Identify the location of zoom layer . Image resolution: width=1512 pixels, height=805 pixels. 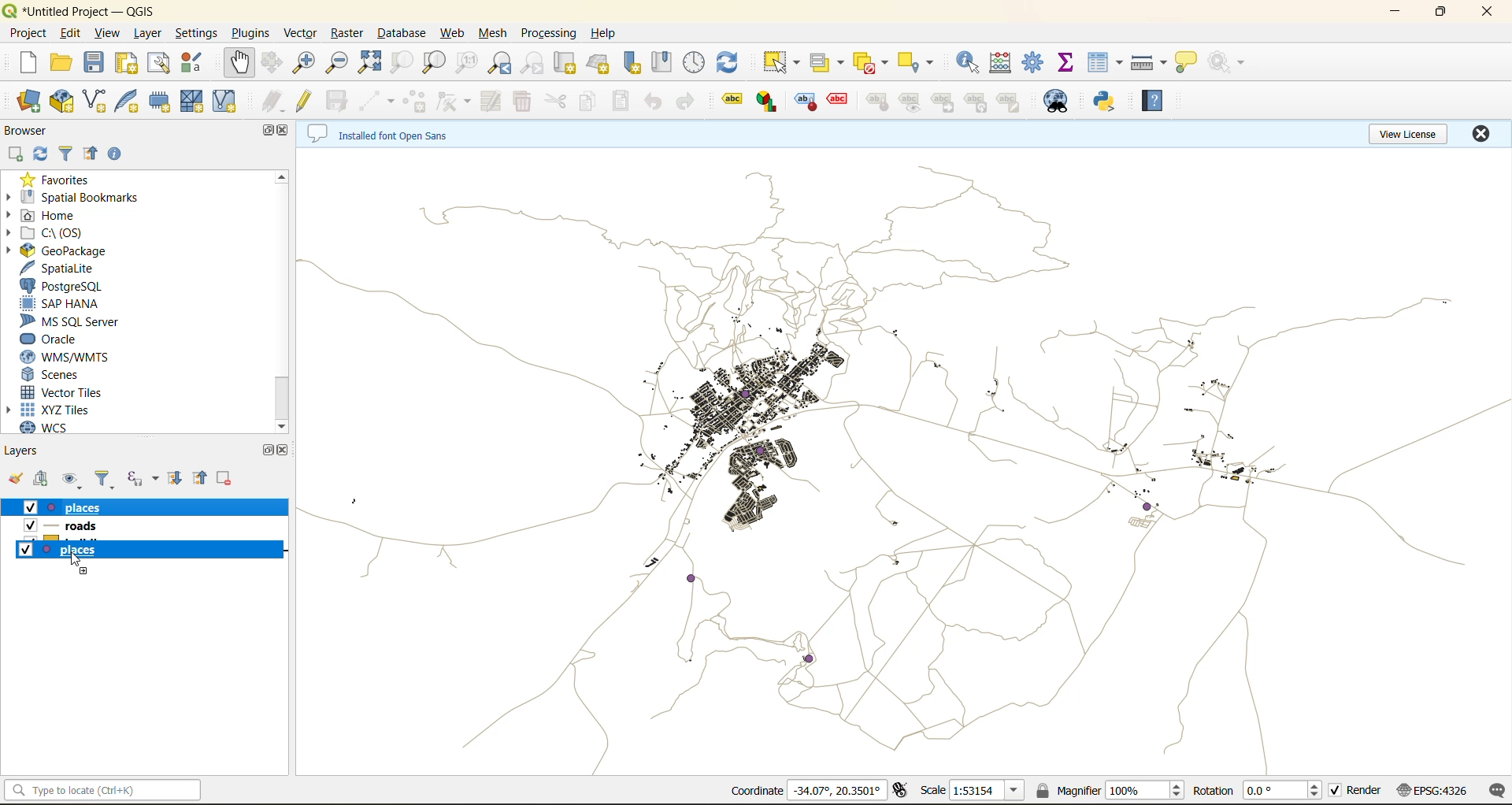
(434, 63).